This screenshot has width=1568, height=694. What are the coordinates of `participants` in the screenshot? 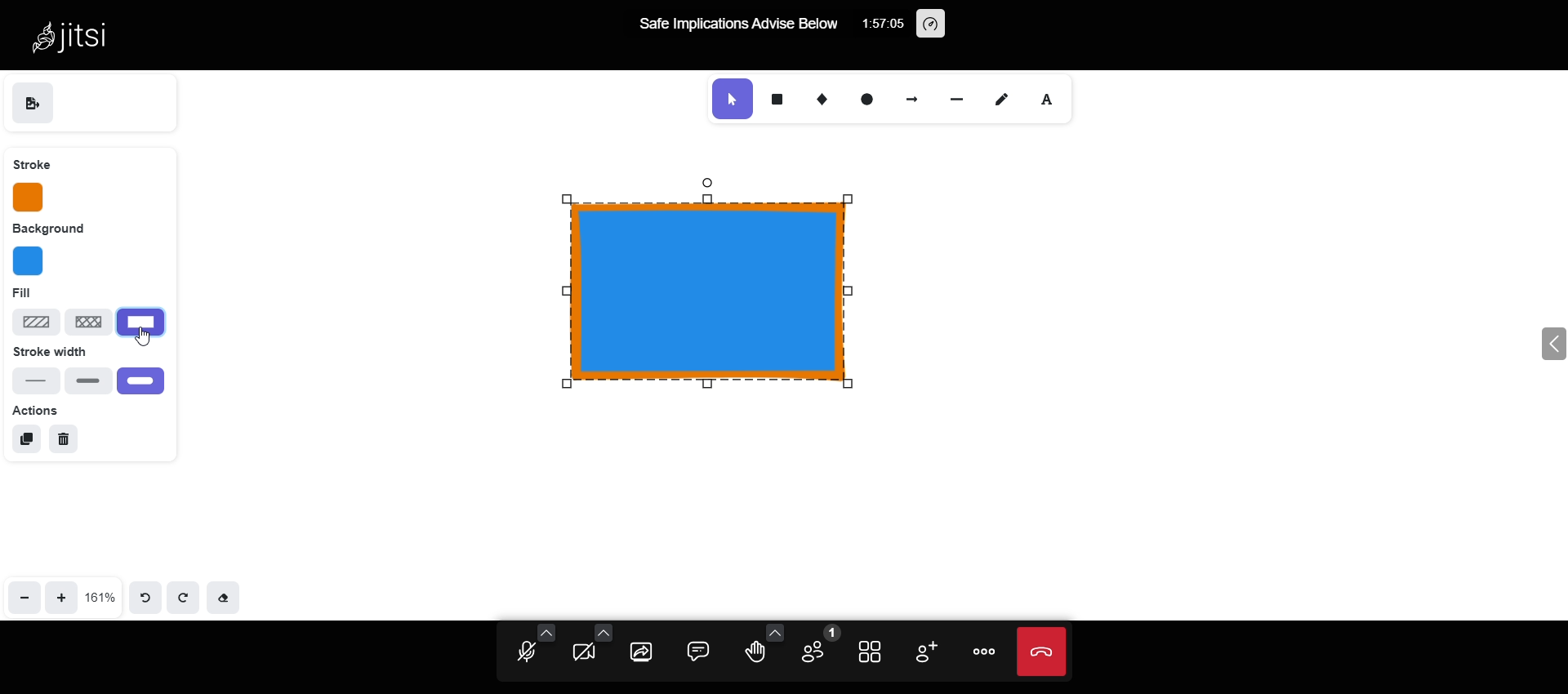 It's located at (817, 645).